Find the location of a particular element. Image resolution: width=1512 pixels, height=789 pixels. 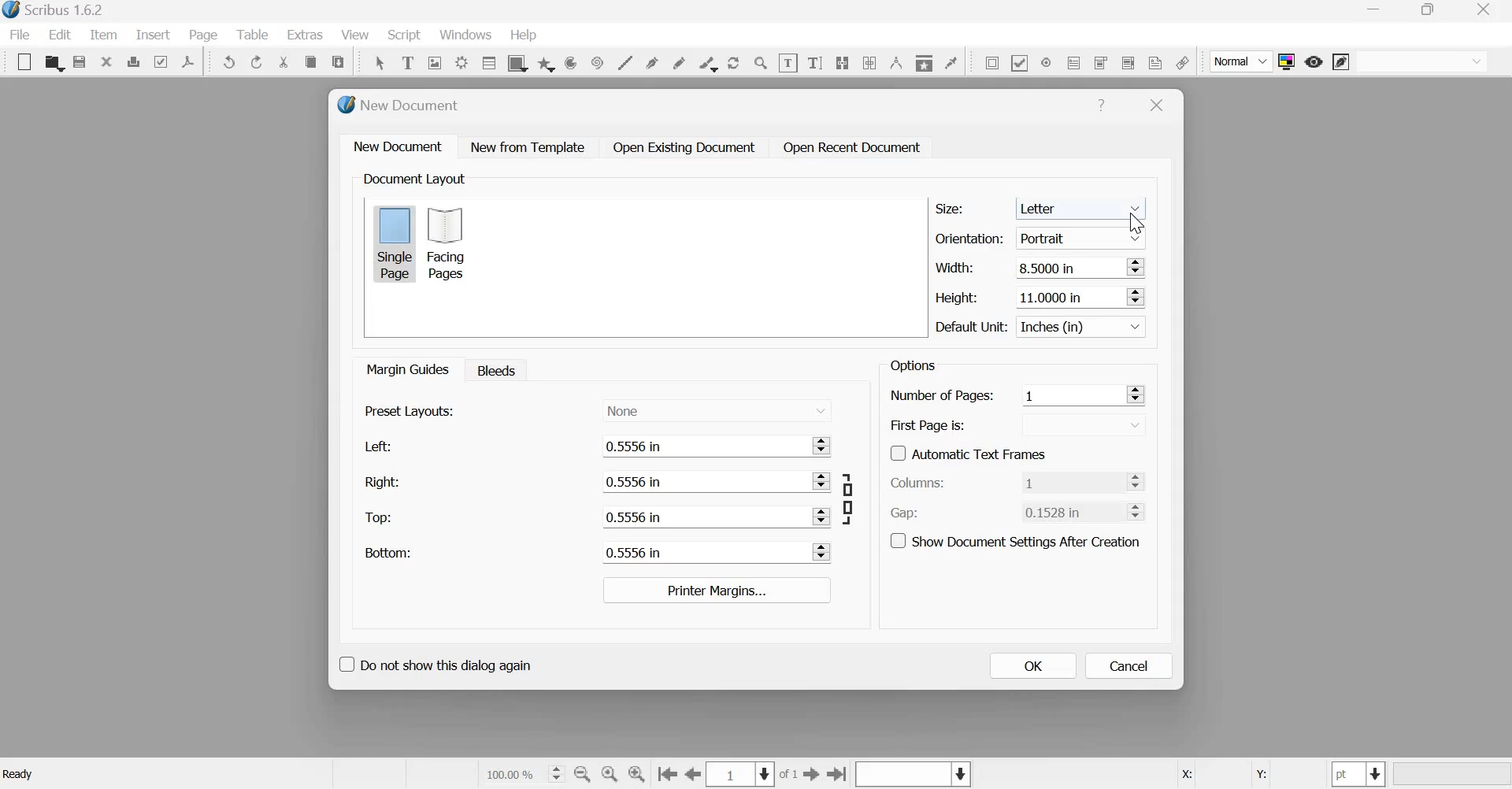

Bleeds is located at coordinates (492, 369).